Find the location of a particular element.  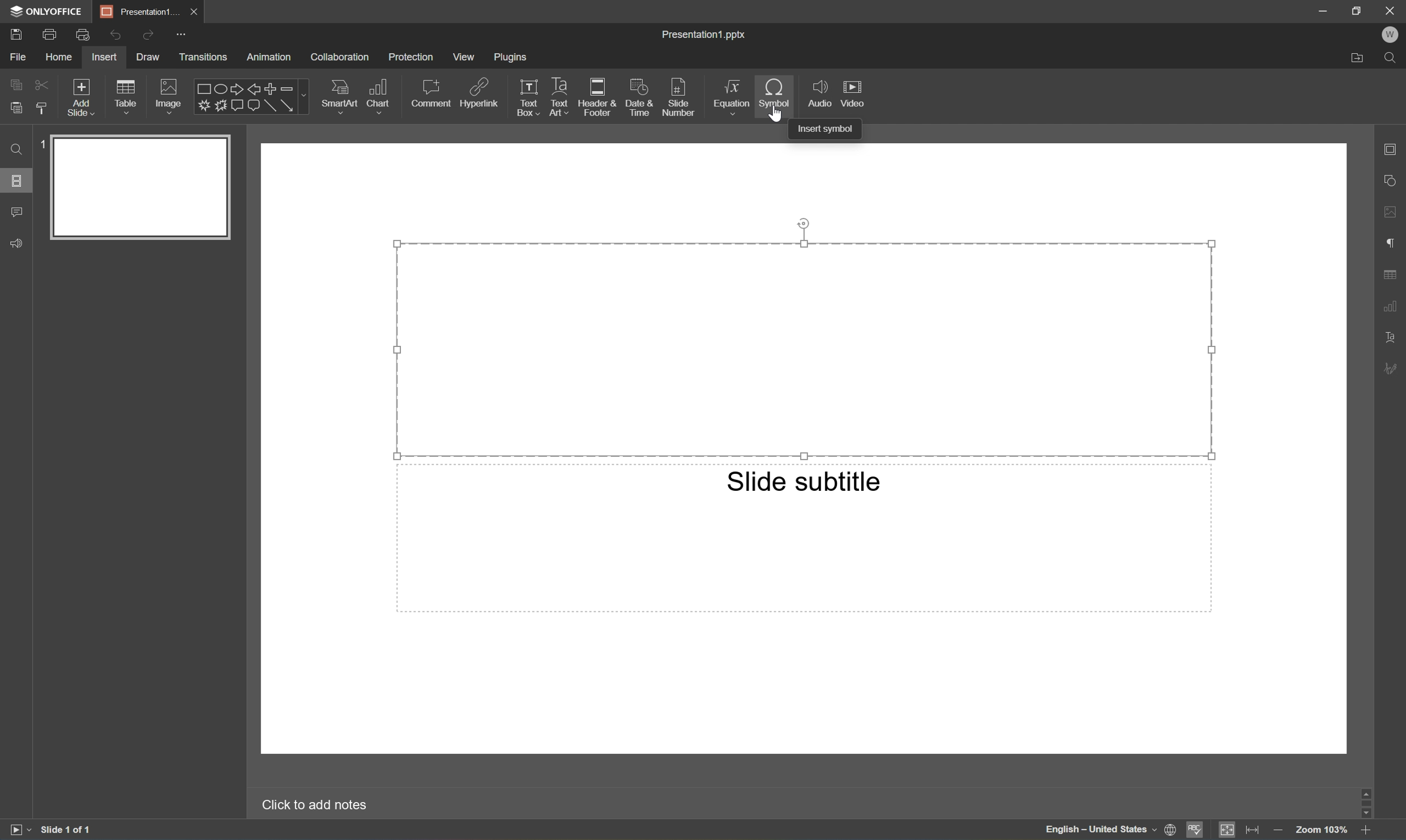

Comment is located at coordinates (433, 91).